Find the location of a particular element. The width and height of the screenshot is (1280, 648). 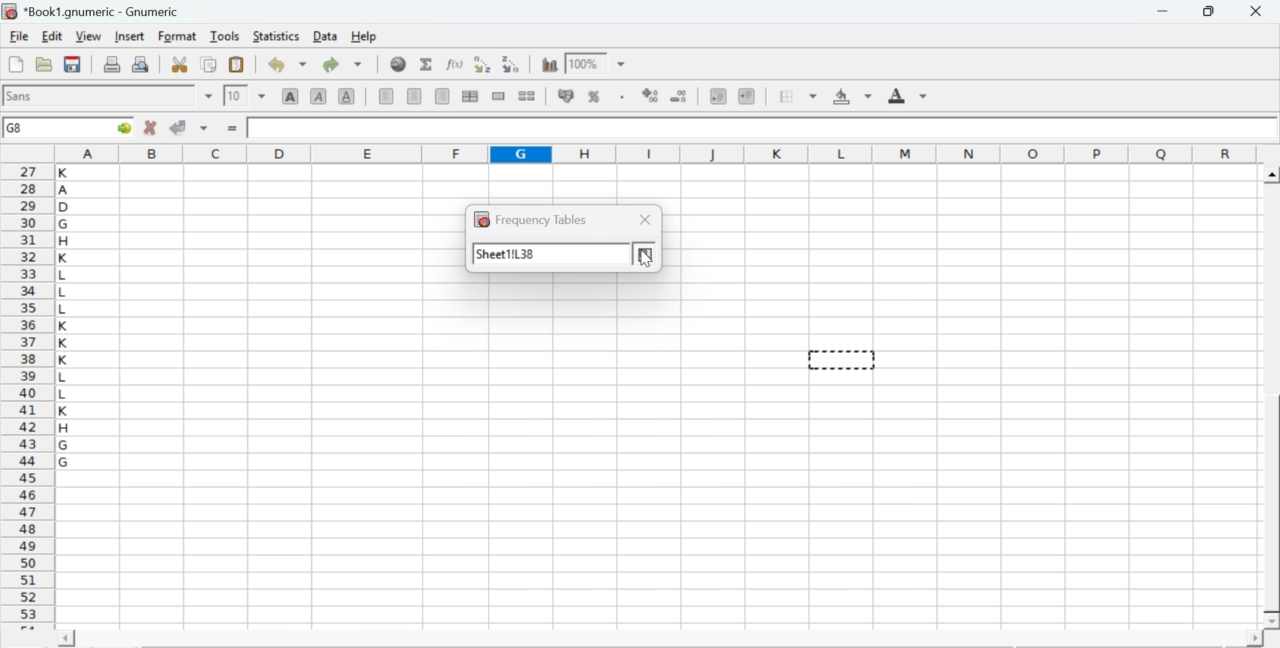

background is located at coordinates (854, 96).